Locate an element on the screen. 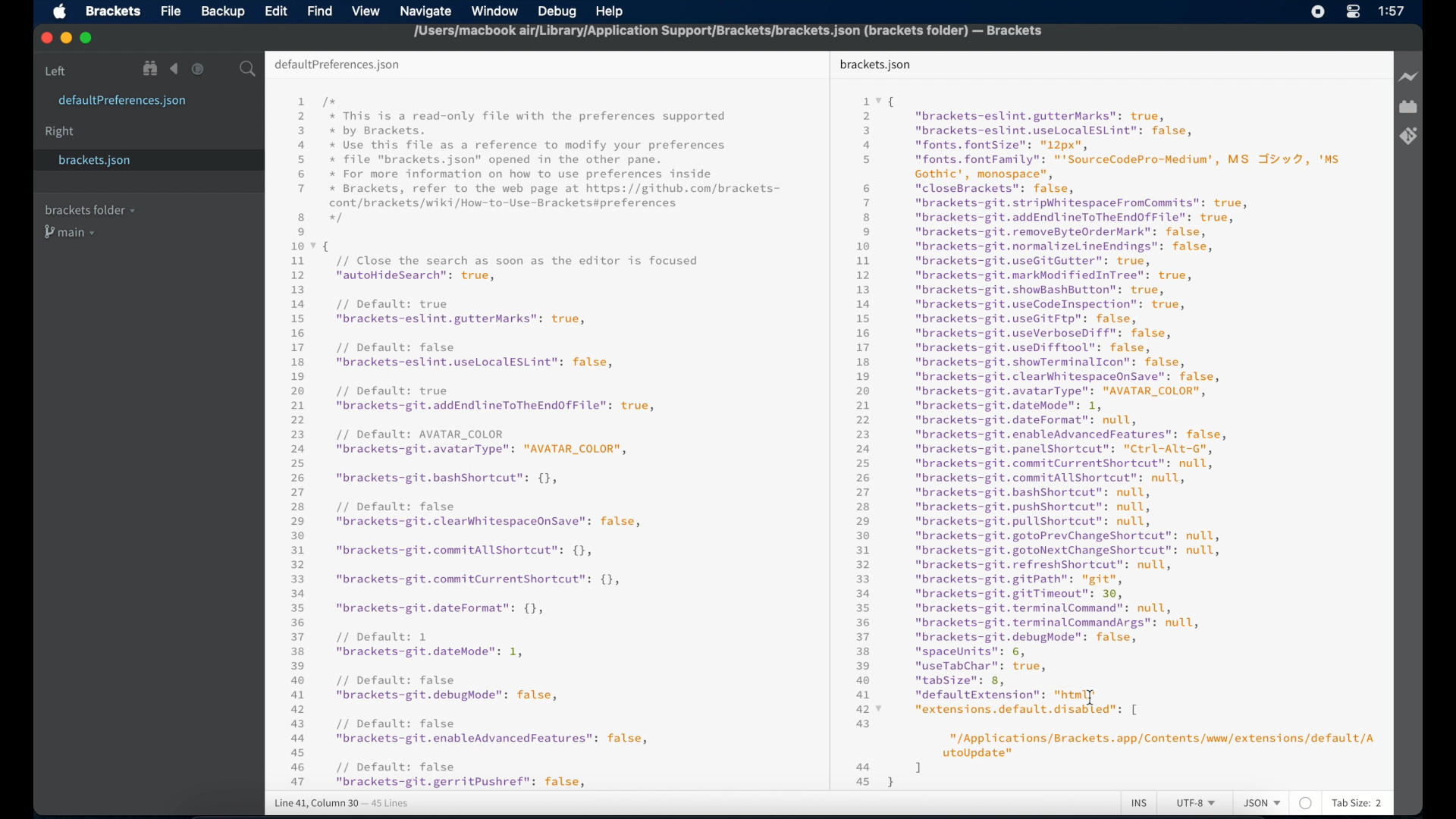 The height and width of the screenshot is (819, 1456). json is located at coordinates (1260, 804).